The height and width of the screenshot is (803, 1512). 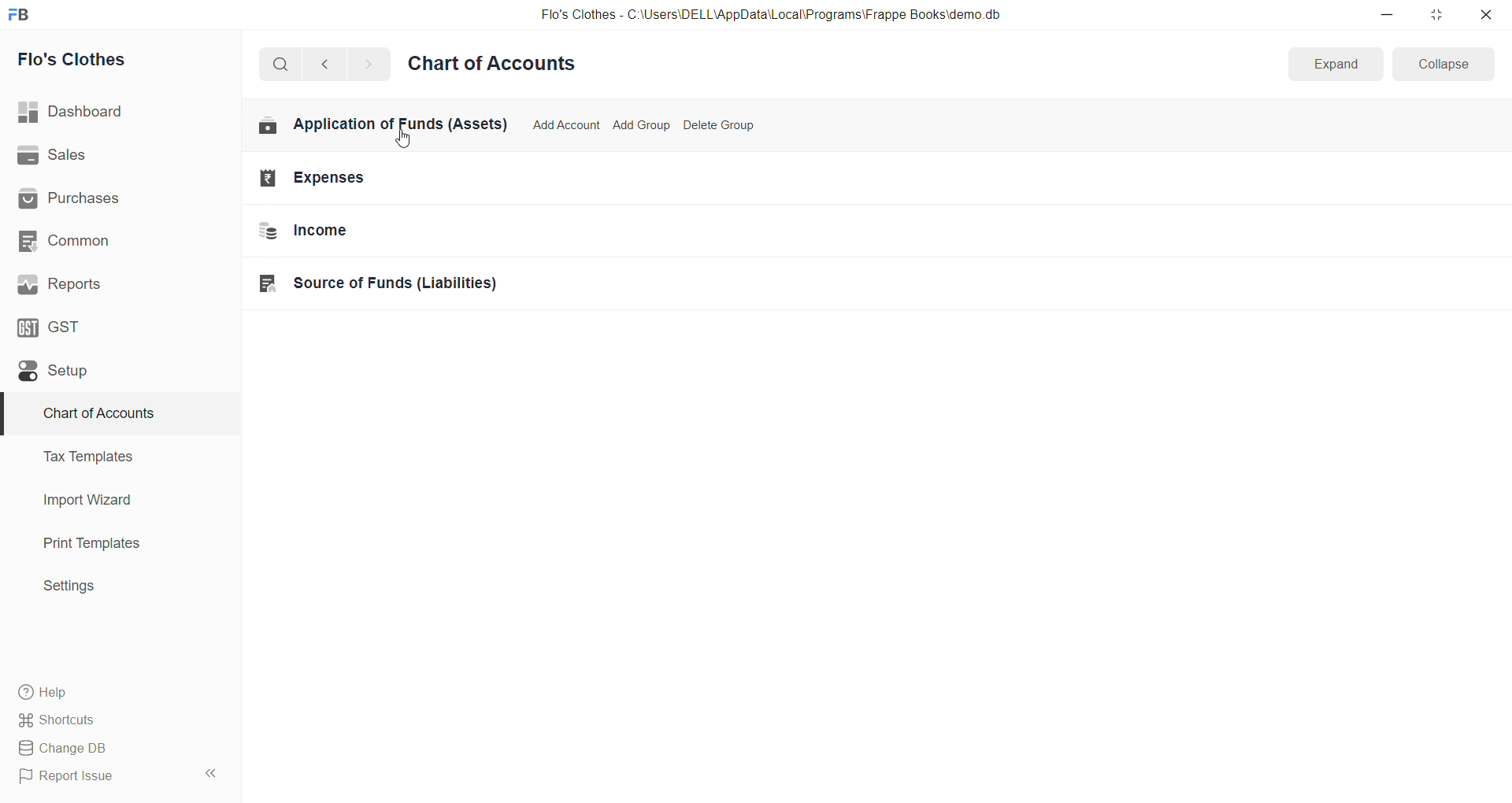 What do you see at coordinates (720, 124) in the screenshot?
I see `Delete Group` at bounding box center [720, 124].